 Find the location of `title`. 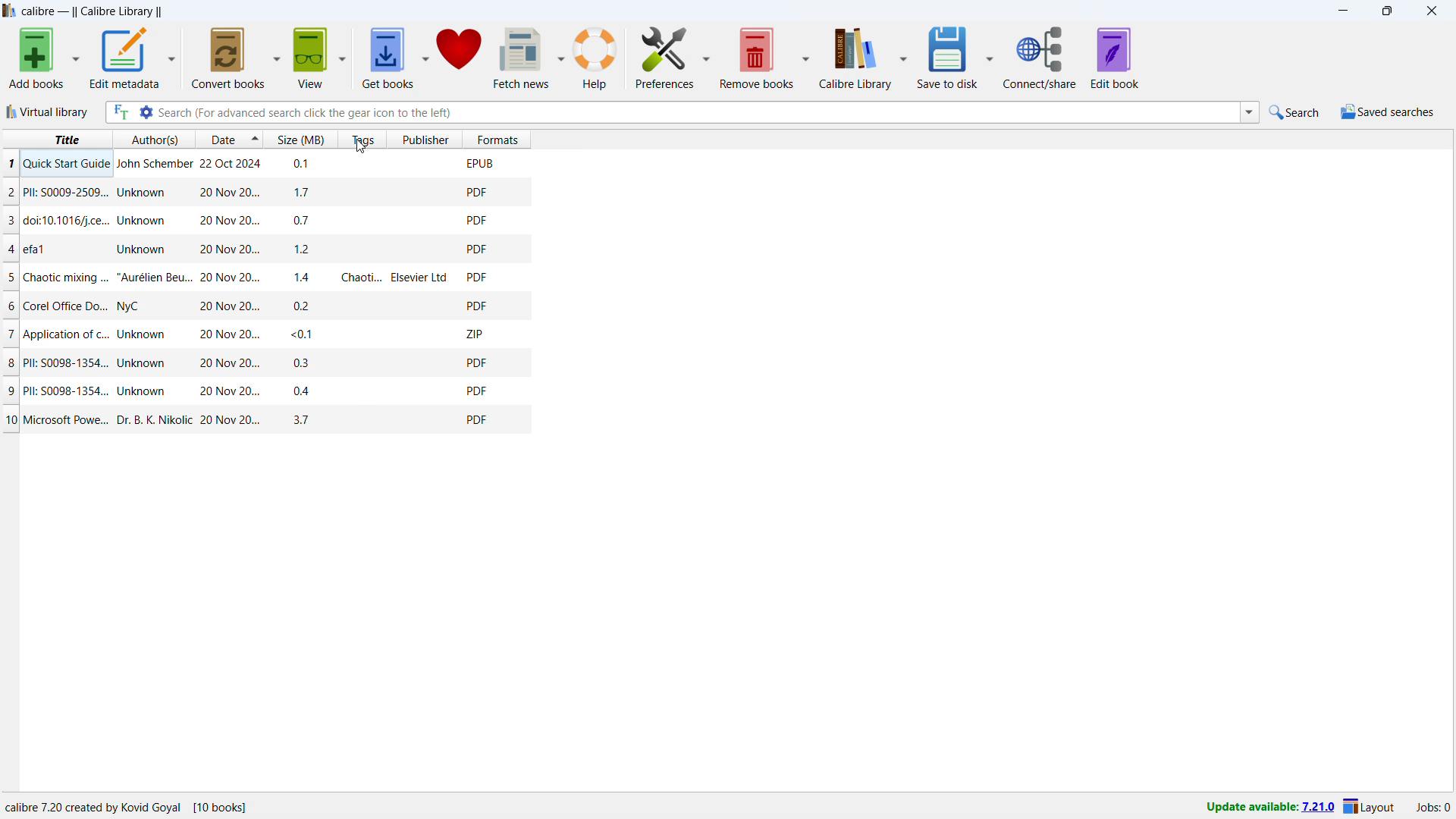

title is located at coordinates (56, 137).